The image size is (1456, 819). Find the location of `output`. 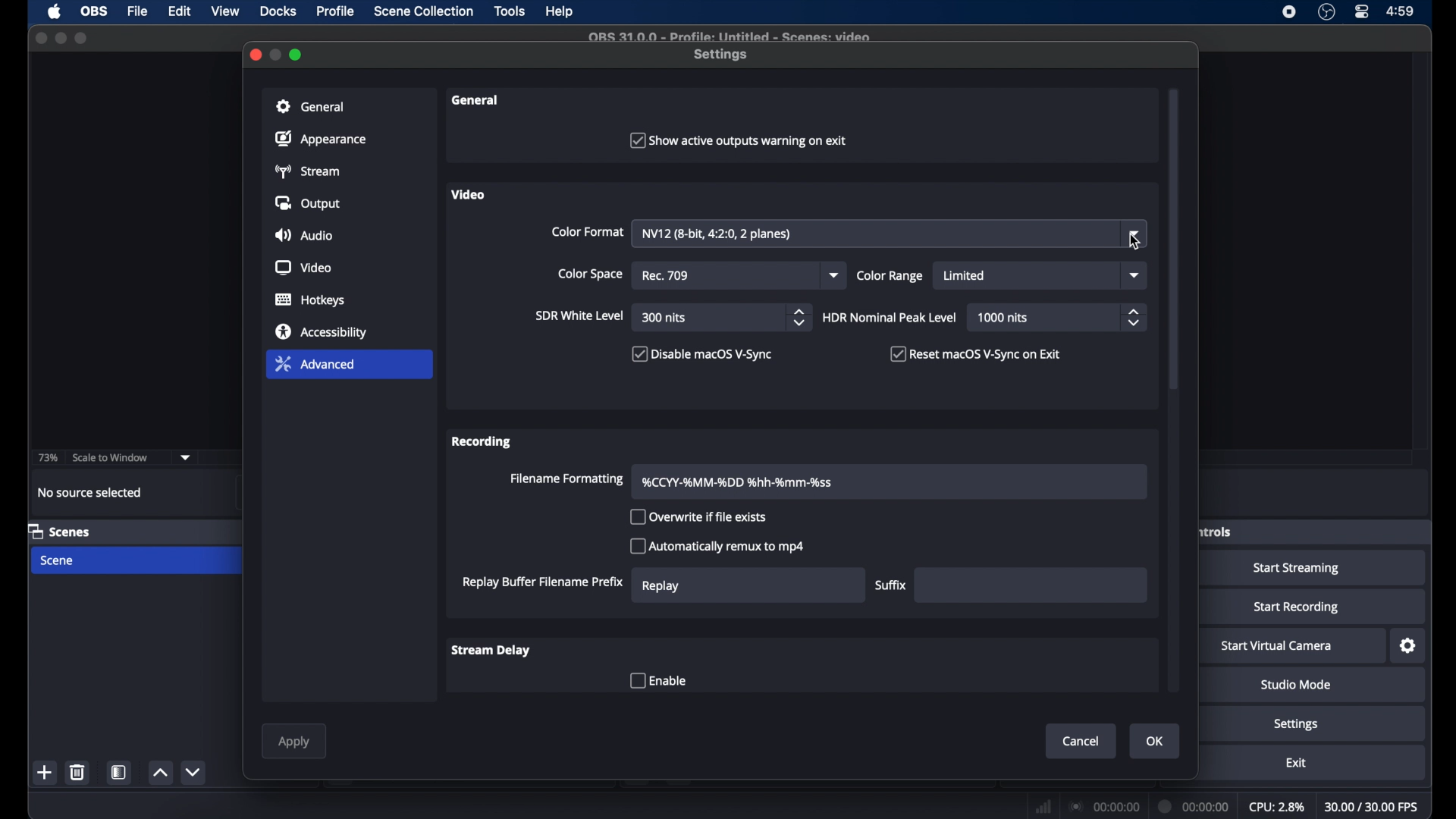

output is located at coordinates (308, 204).